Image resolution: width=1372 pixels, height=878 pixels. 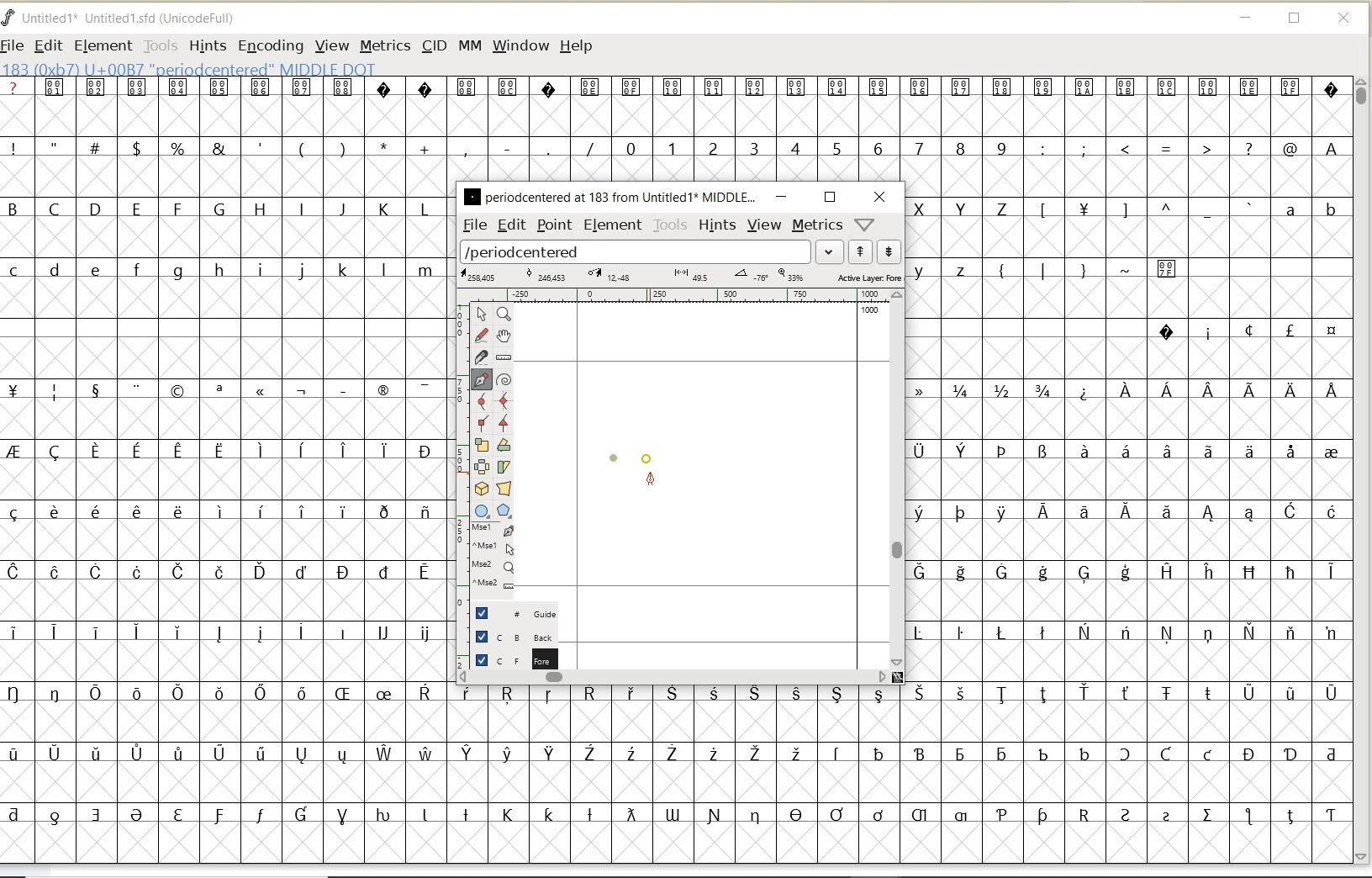 What do you see at coordinates (830, 251) in the screenshot?
I see `expand` at bounding box center [830, 251].